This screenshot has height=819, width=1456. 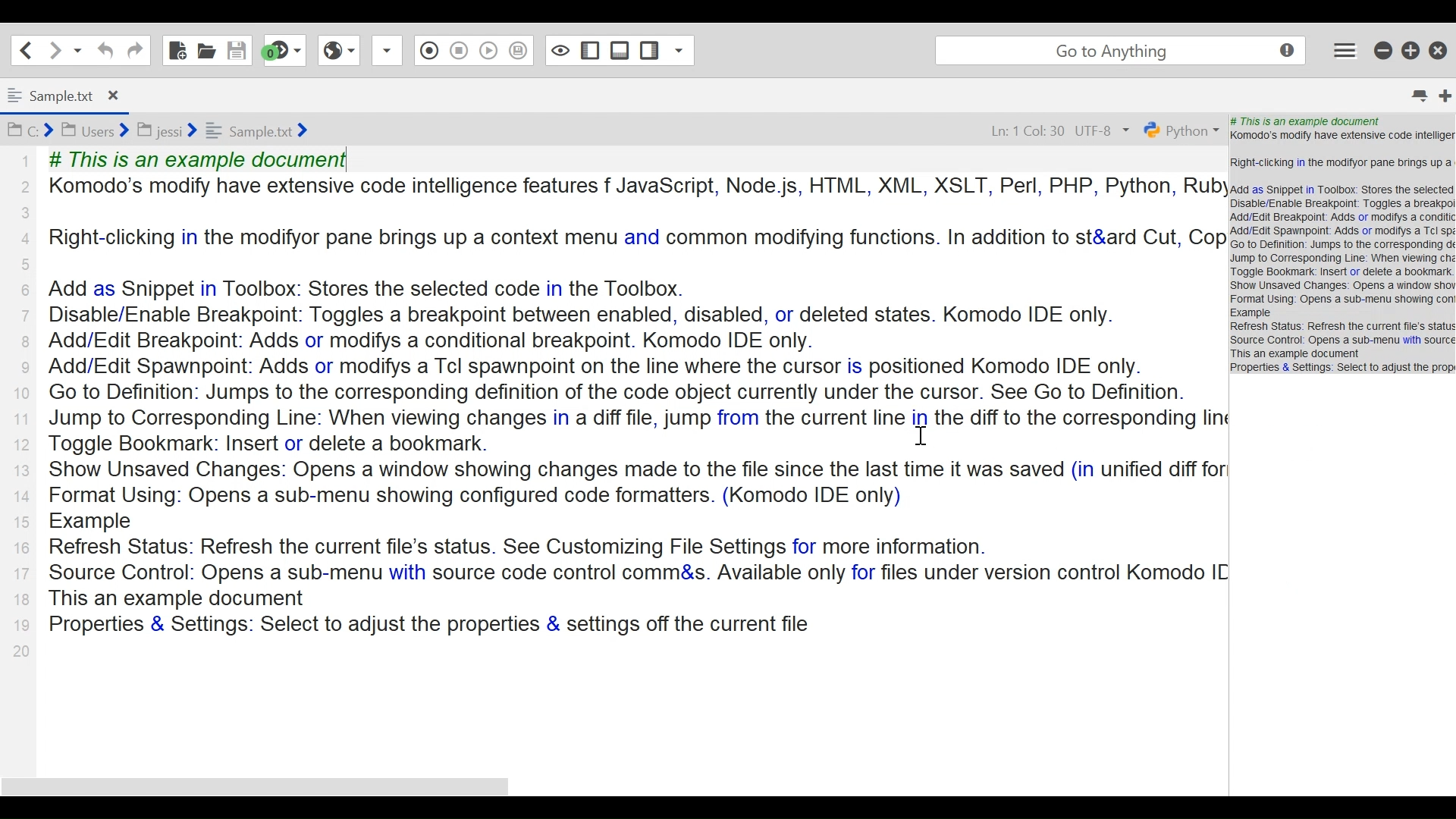 I want to click on Play Last Macro, so click(x=458, y=50).